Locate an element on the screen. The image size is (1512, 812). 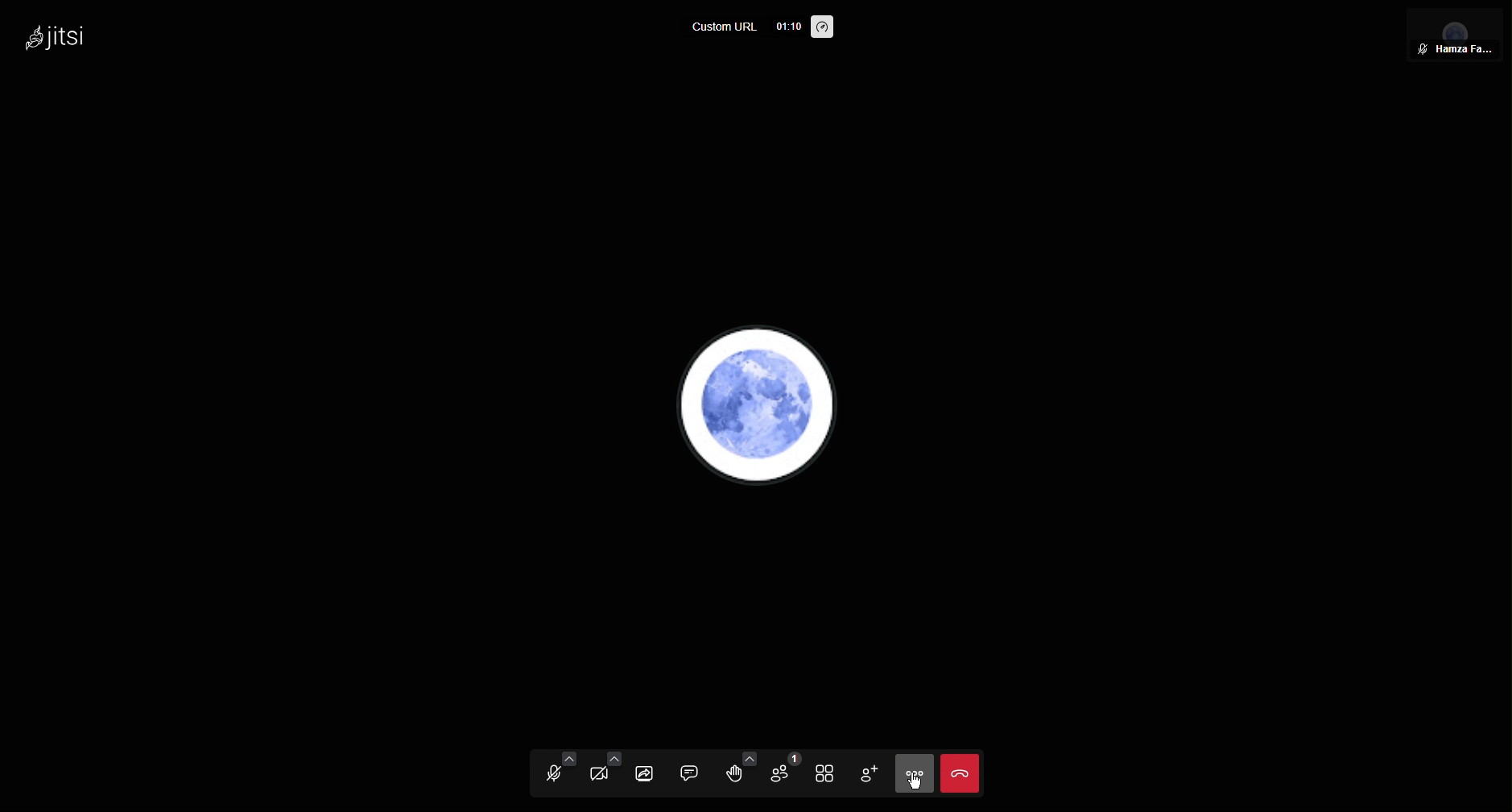
Audio is located at coordinates (553, 773).